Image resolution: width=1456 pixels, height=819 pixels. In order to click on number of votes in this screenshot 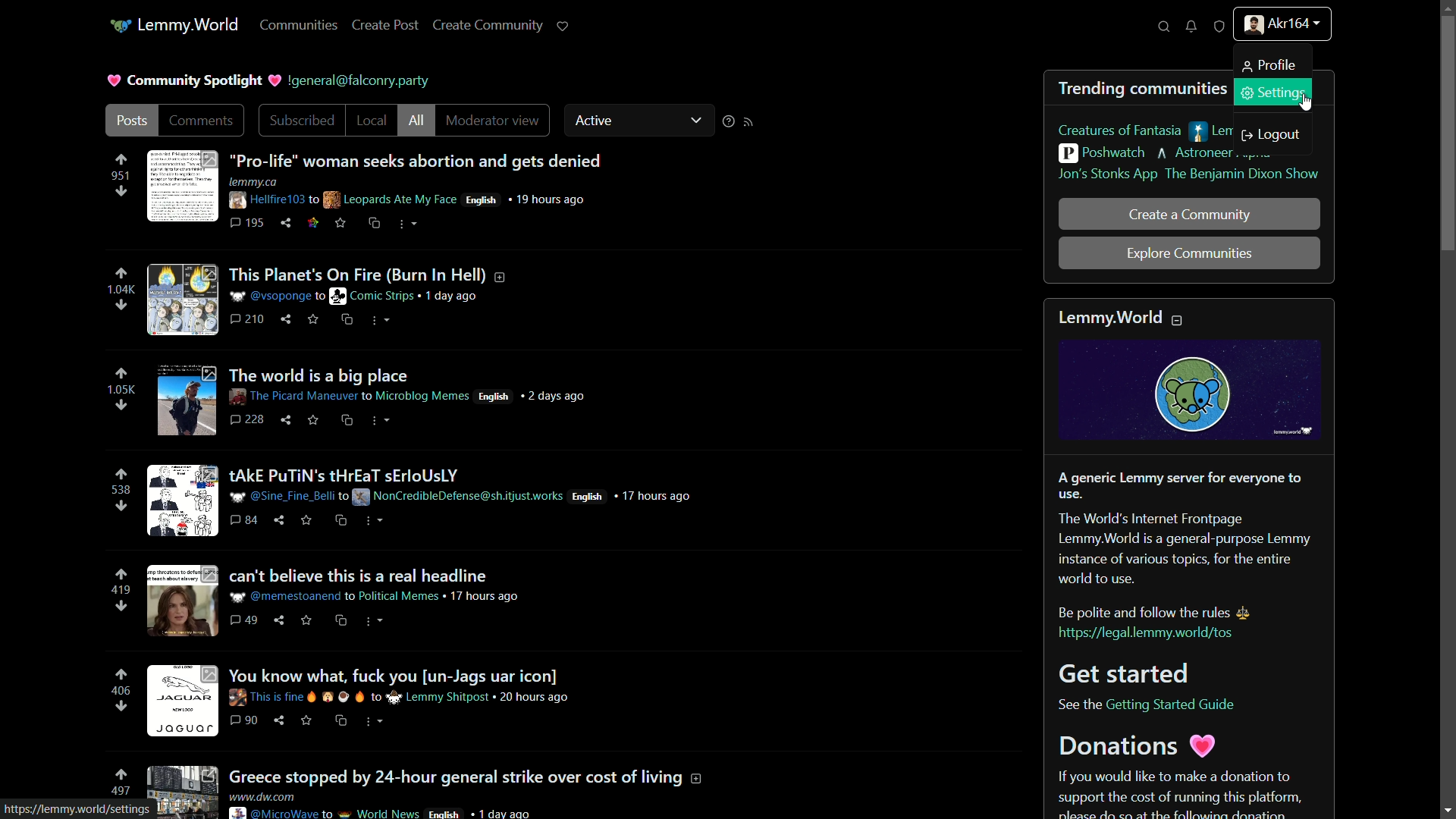, I will do `click(121, 792)`.